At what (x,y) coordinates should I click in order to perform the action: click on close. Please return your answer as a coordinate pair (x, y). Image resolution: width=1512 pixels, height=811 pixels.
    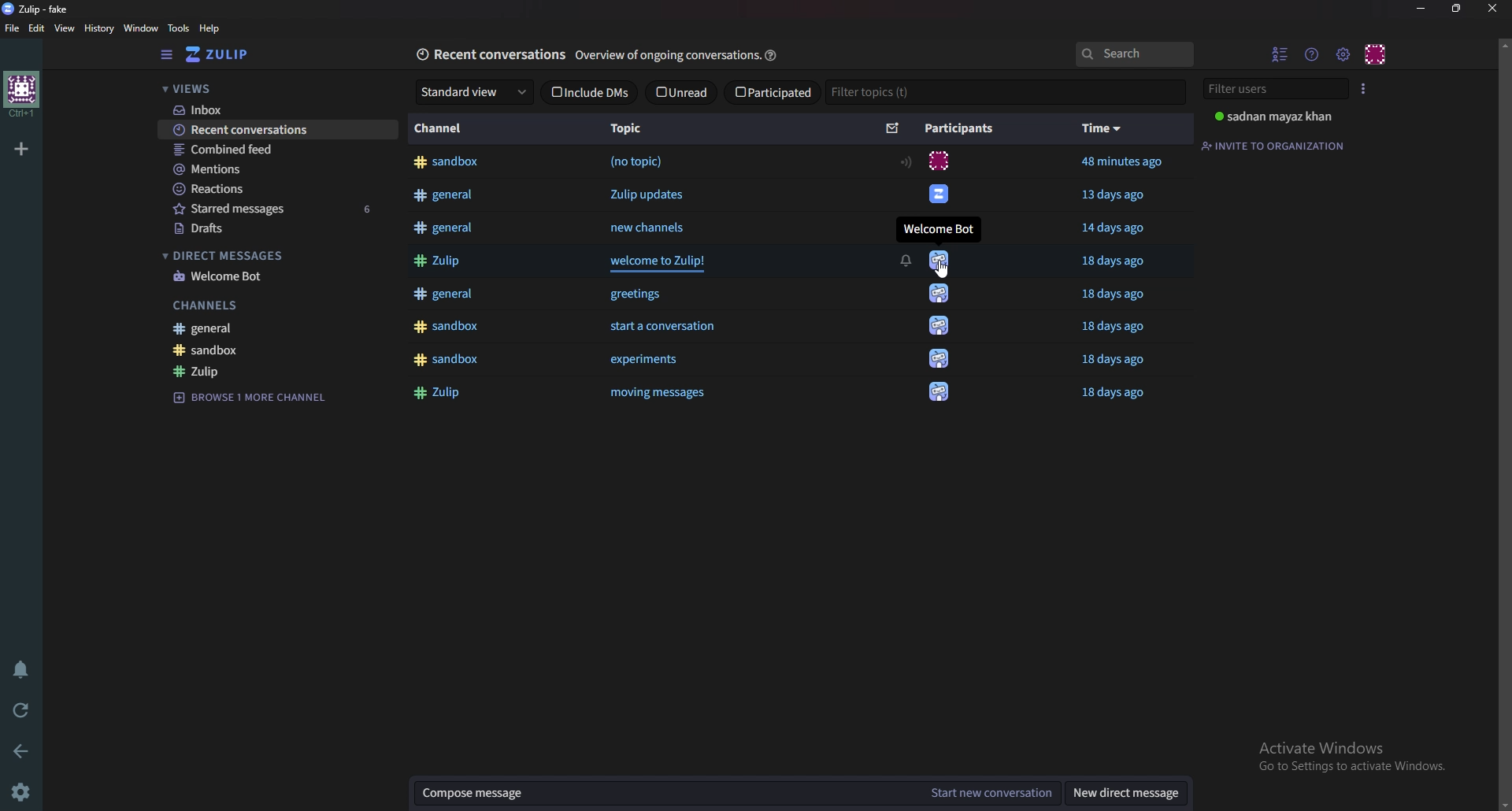
    Looking at the image, I should click on (1492, 10).